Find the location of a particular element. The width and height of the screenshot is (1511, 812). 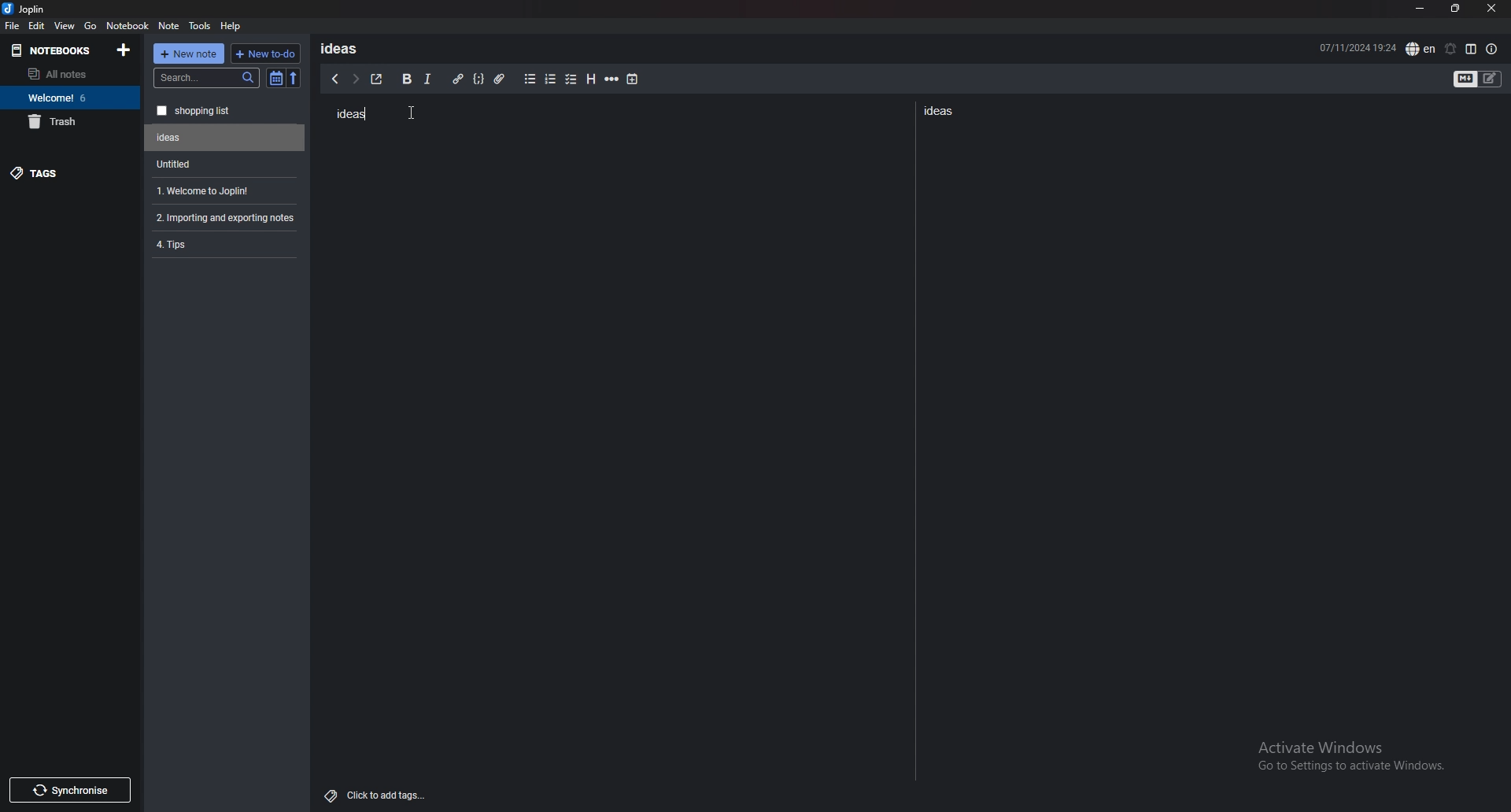

italic is located at coordinates (427, 79).